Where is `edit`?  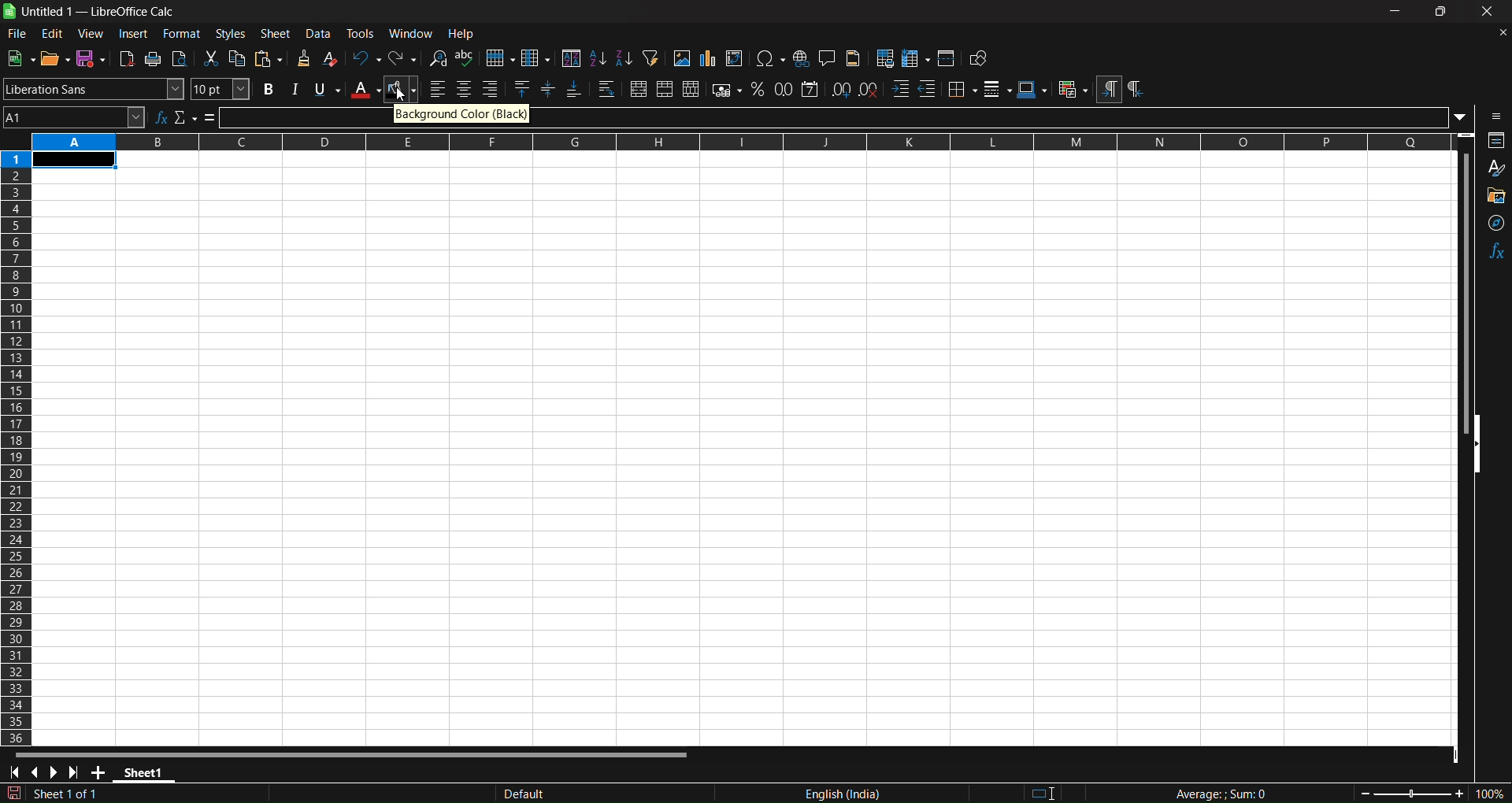
edit is located at coordinates (53, 33).